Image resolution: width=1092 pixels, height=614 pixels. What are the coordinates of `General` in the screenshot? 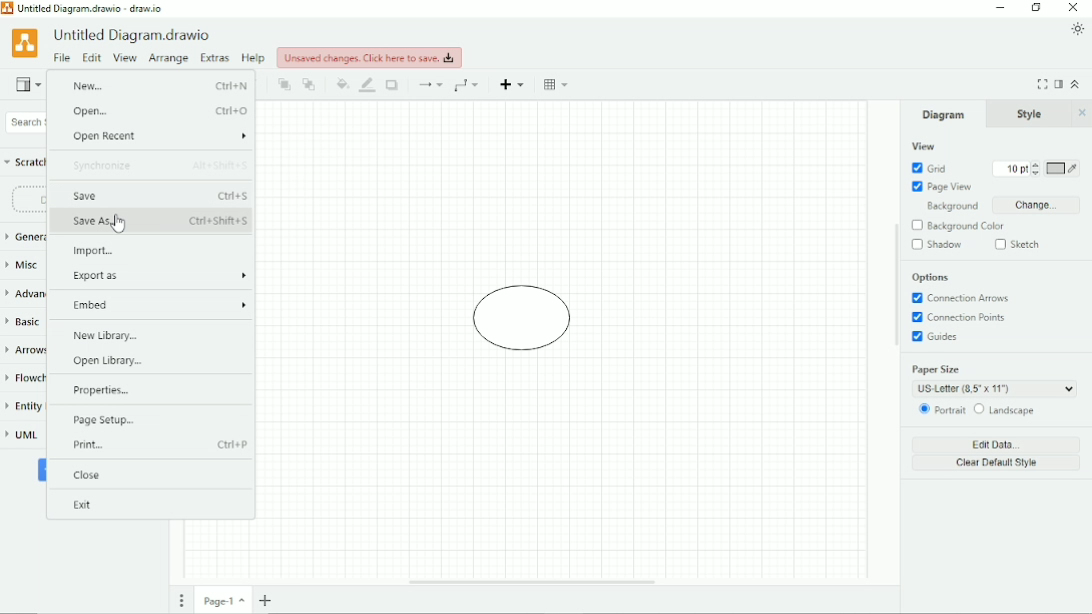 It's located at (24, 237).